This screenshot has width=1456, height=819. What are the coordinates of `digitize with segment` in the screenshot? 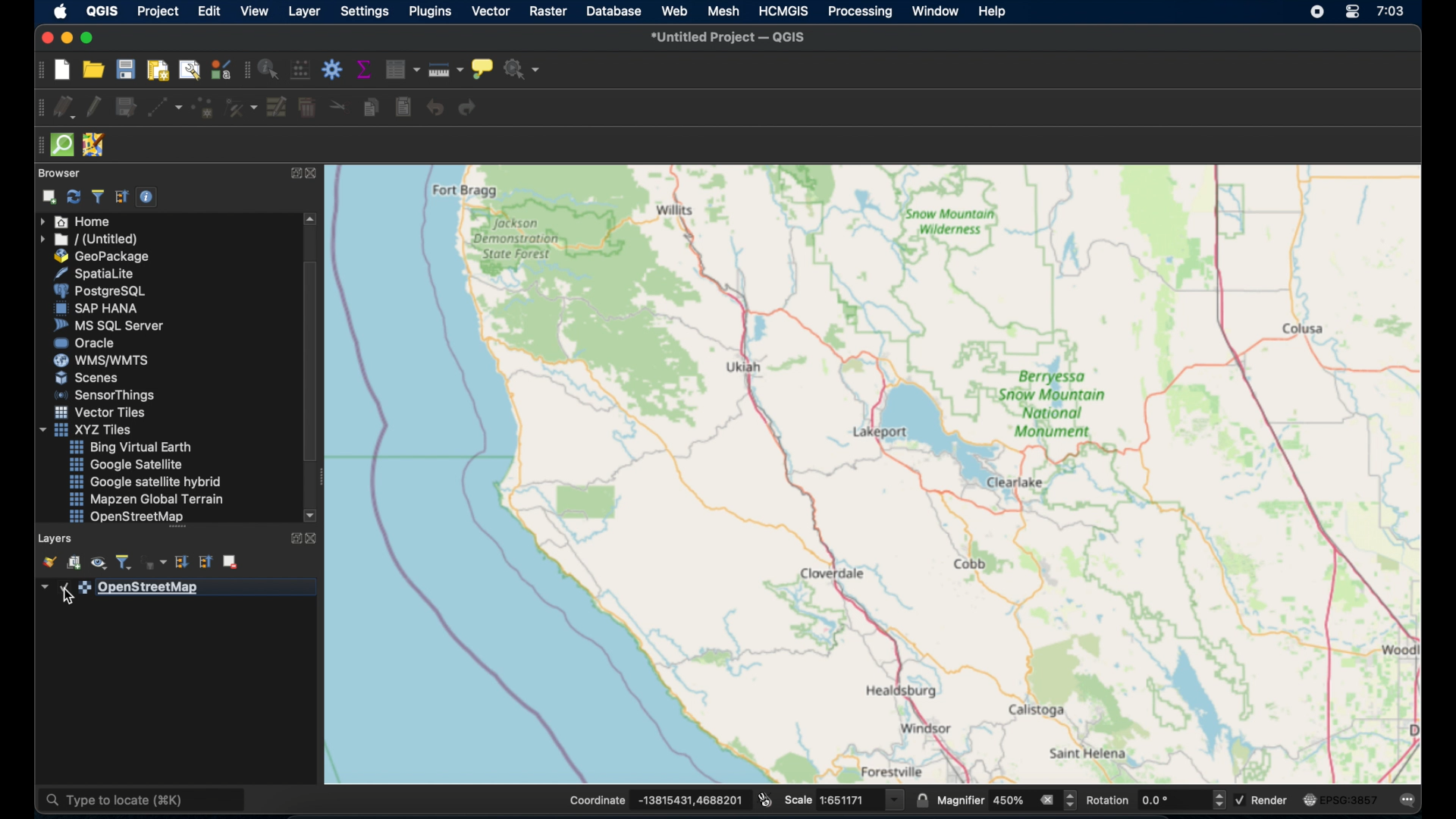 It's located at (165, 108).